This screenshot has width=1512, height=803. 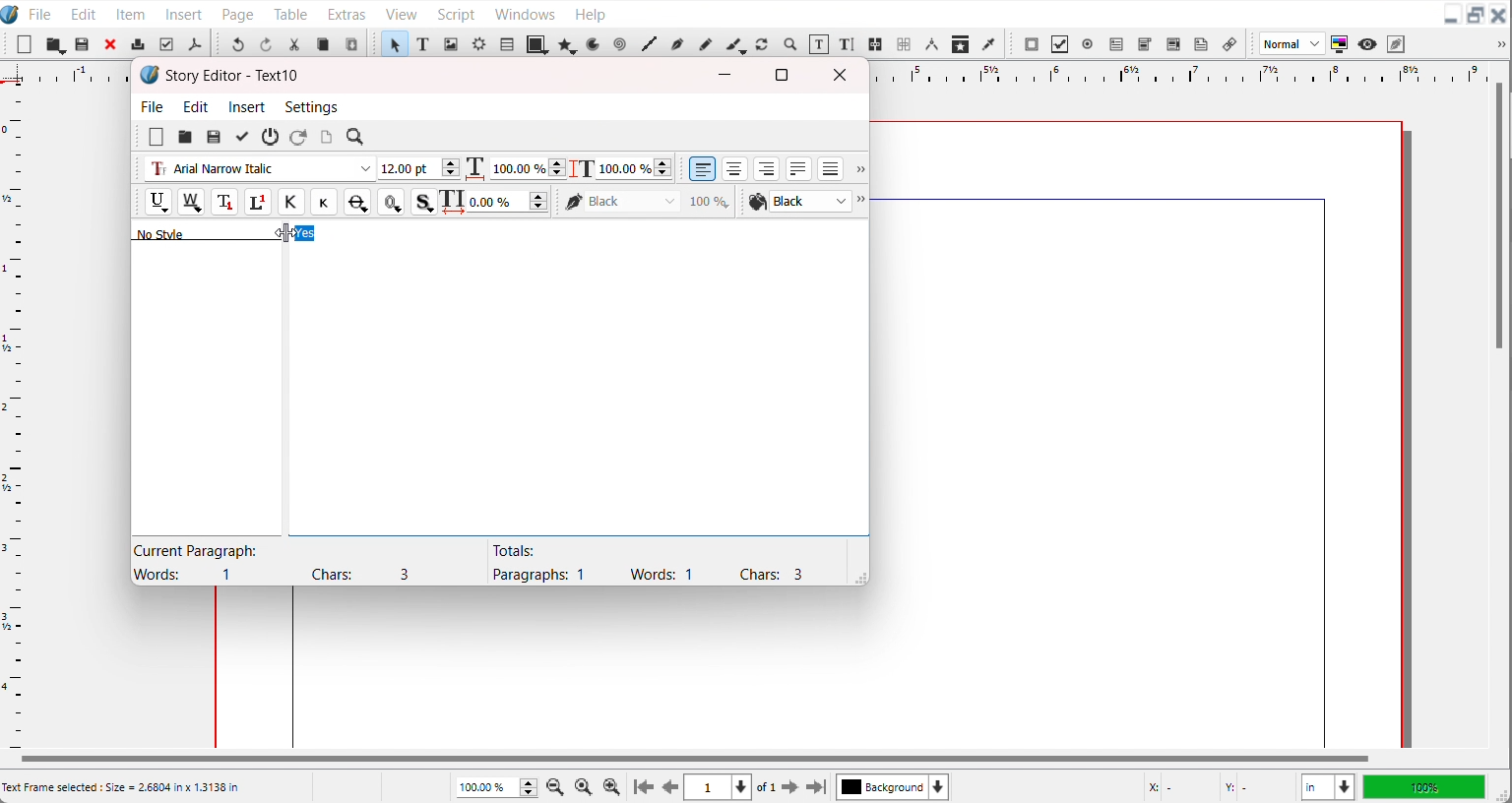 I want to click on Toggle color, so click(x=1341, y=44).